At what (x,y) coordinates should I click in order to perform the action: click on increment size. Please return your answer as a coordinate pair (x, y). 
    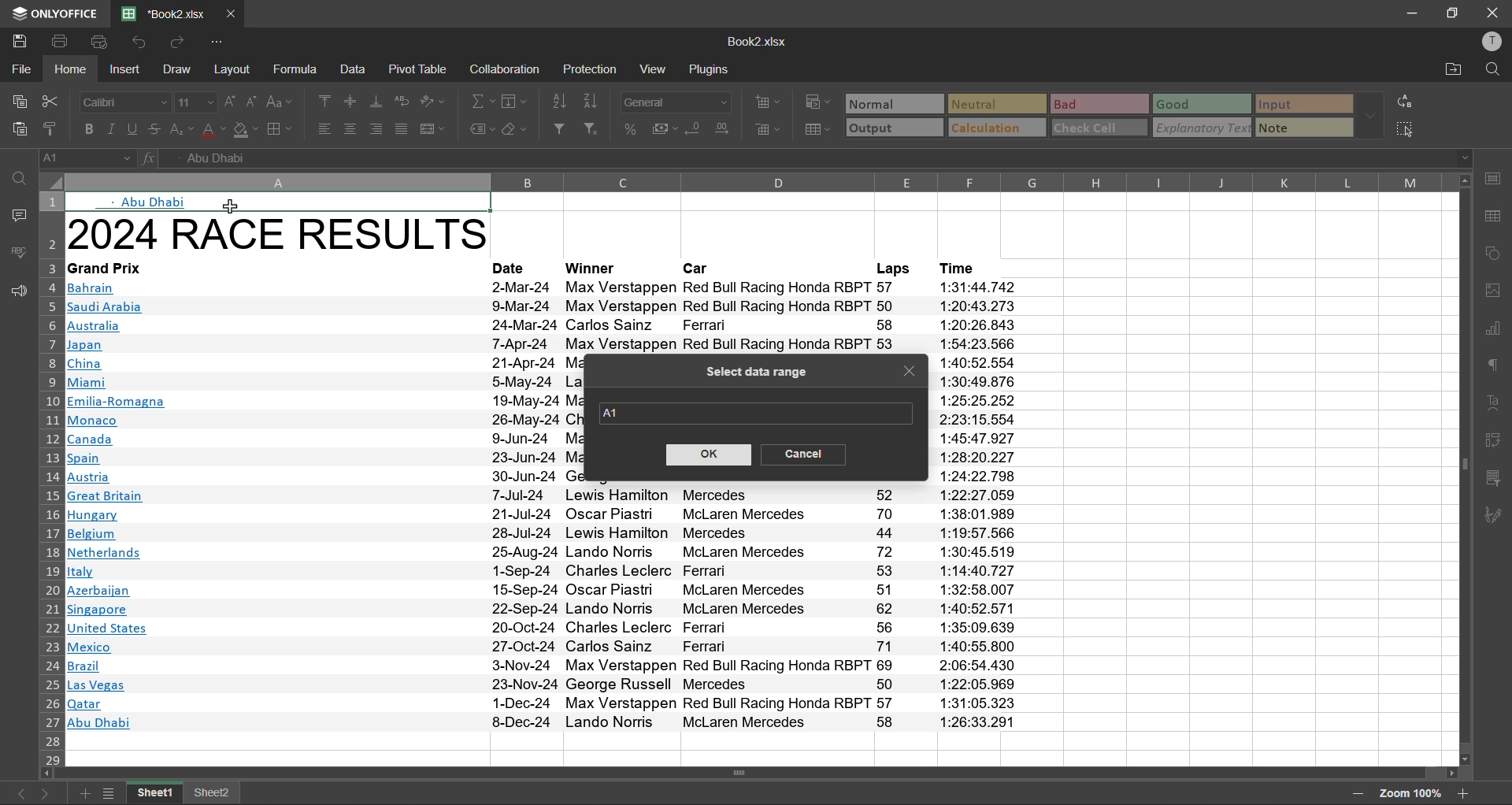
    Looking at the image, I should click on (229, 102).